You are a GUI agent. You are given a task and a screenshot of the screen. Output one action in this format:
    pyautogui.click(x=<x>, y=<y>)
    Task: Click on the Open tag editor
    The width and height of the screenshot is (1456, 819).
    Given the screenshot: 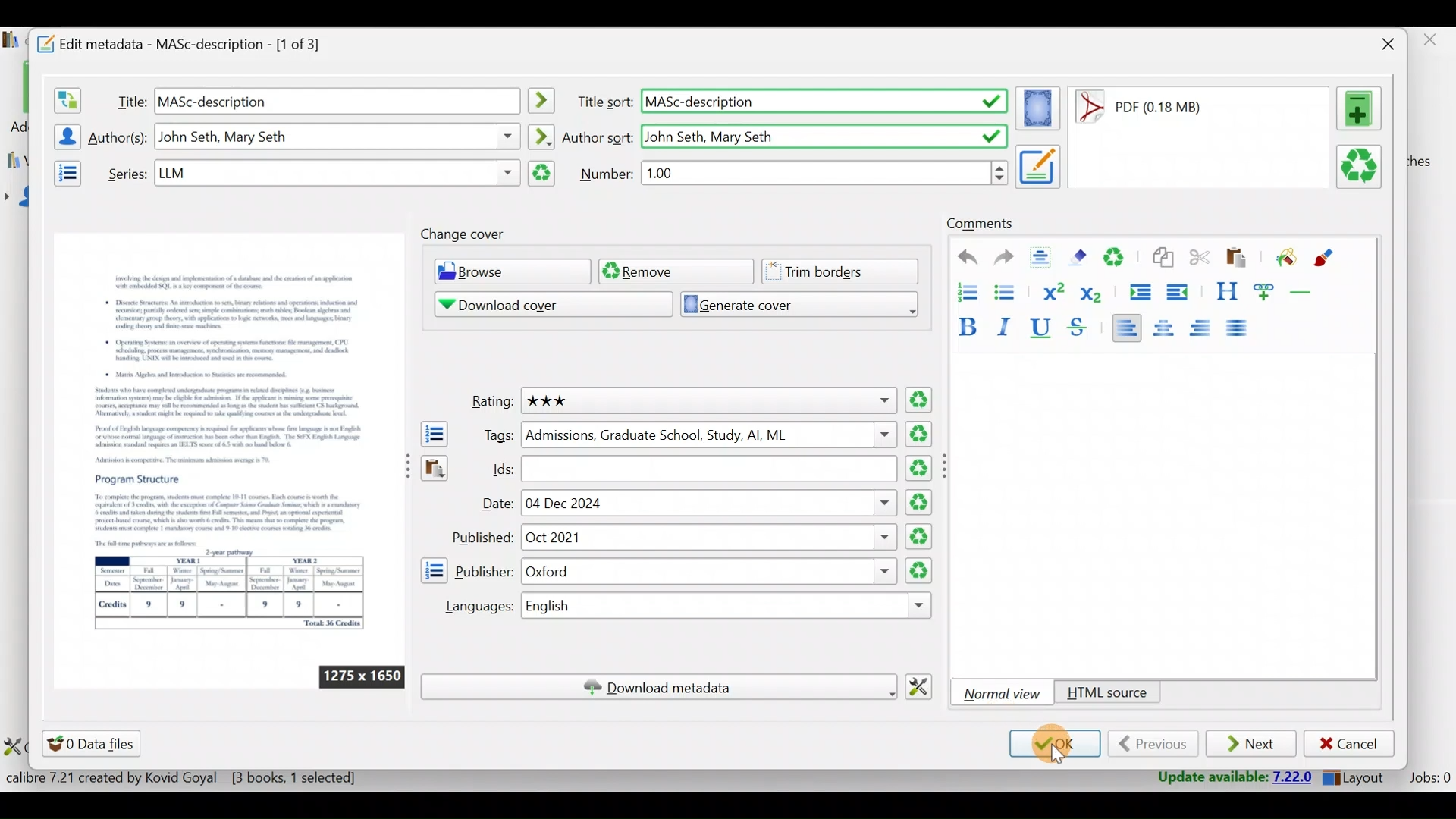 What is the action you would take?
    pyautogui.click(x=431, y=434)
    